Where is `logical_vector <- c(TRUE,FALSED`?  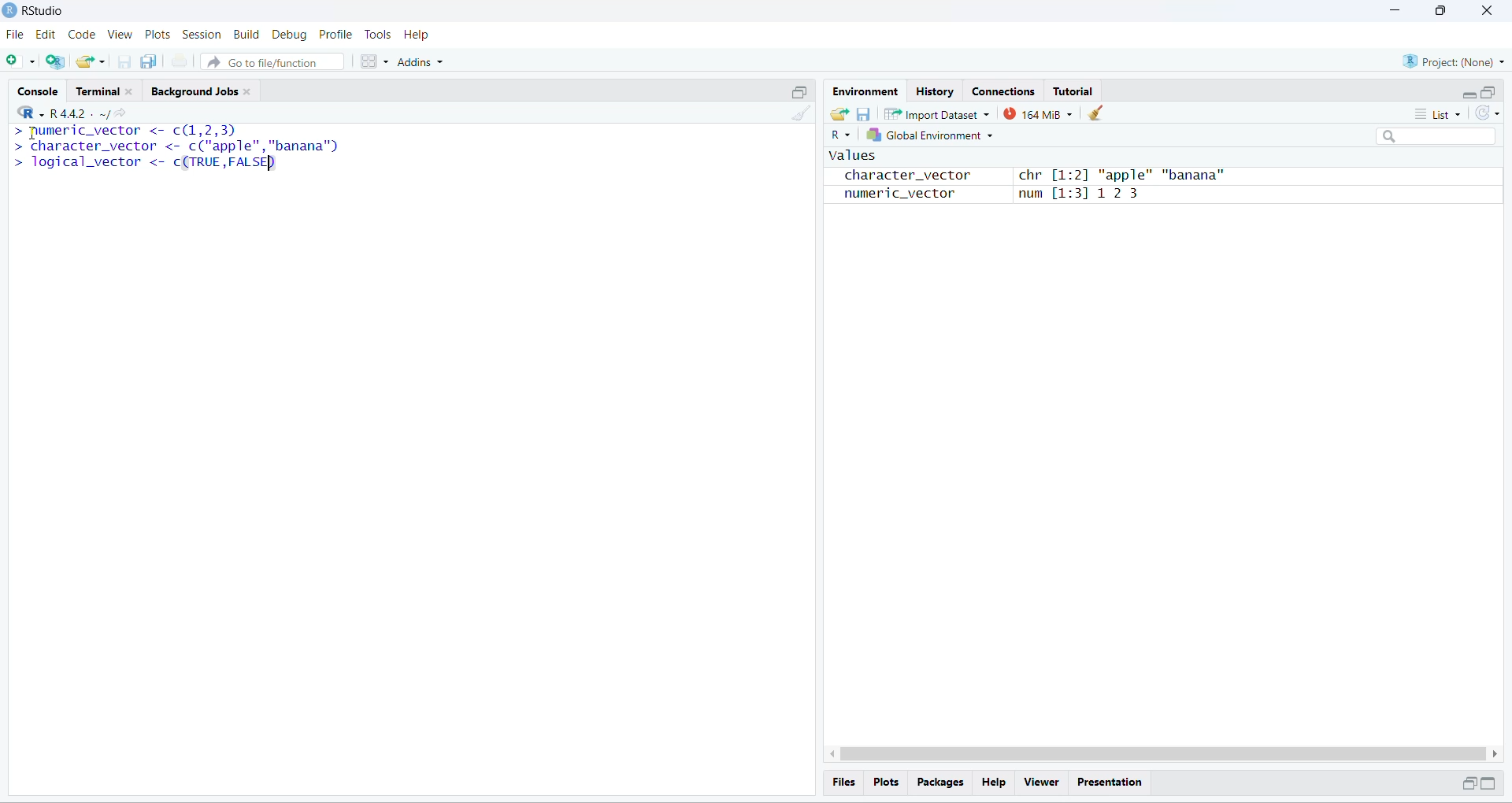
logical_vector <- c(TRUE,FALSED is located at coordinates (143, 162).